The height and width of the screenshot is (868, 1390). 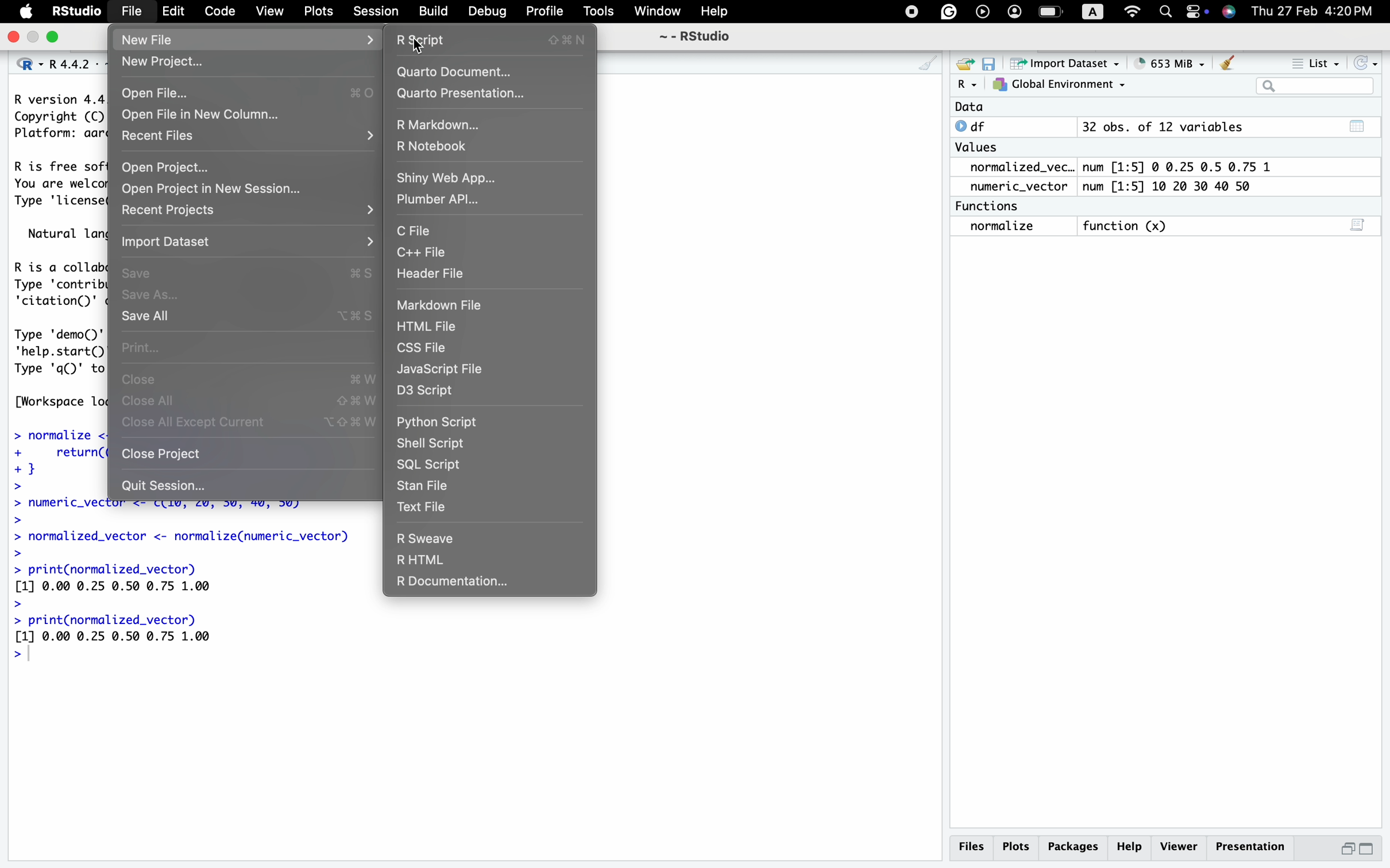 I want to click on Close, so click(x=142, y=382).